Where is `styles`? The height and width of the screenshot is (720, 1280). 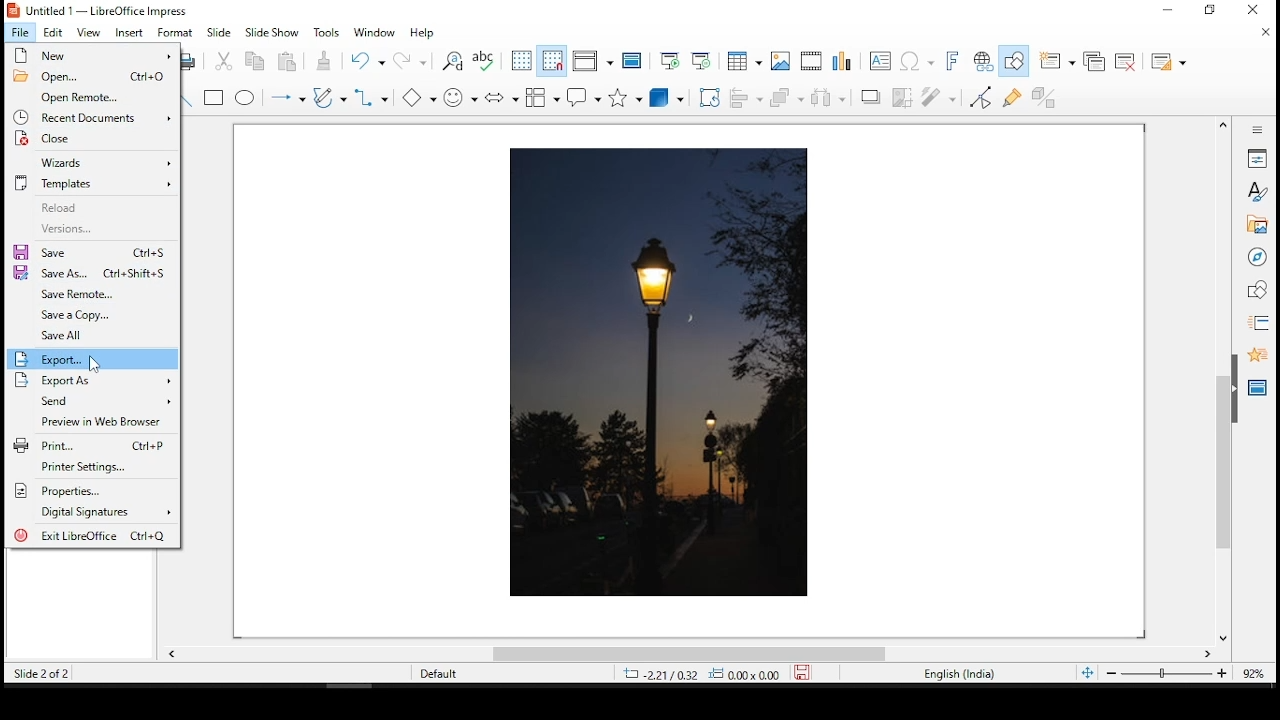
styles is located at coordinates (1255, 192).